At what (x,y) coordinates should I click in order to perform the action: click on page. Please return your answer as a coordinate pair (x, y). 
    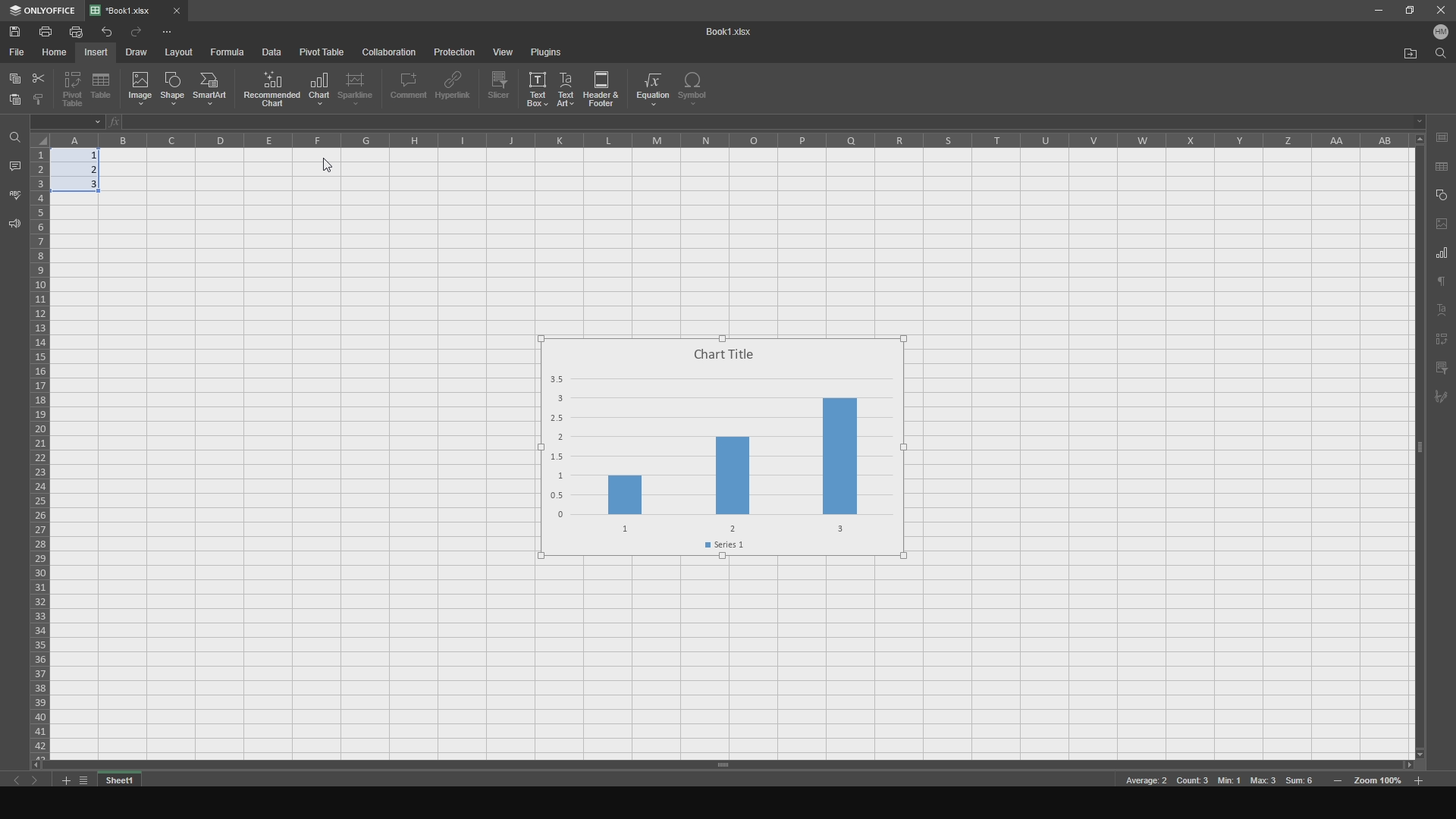
    Looking at the image, I should click on (1442, 224).